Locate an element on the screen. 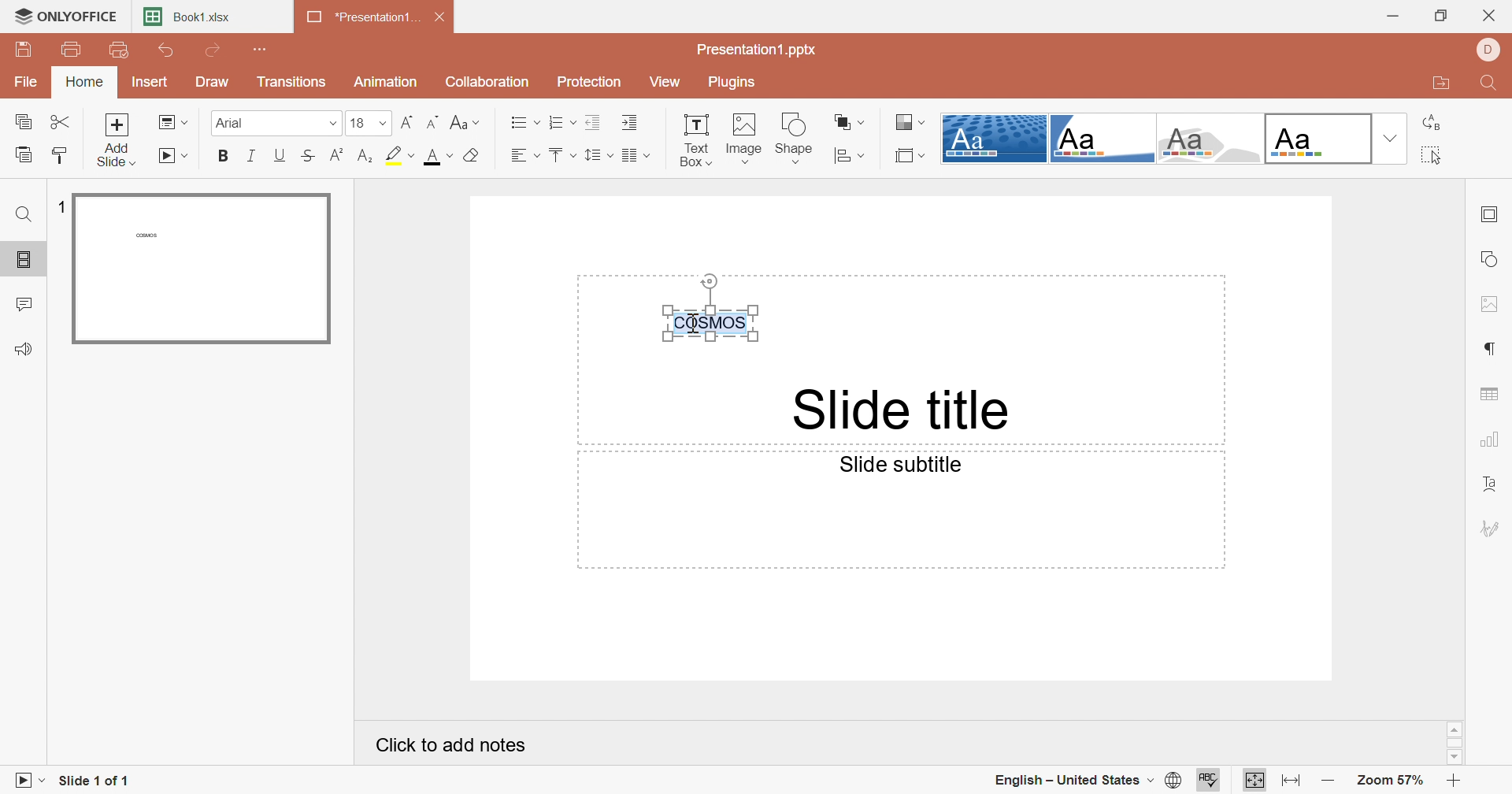 This screenshot has height=794, width=1512. Side title is located at coordinates (893, 406).